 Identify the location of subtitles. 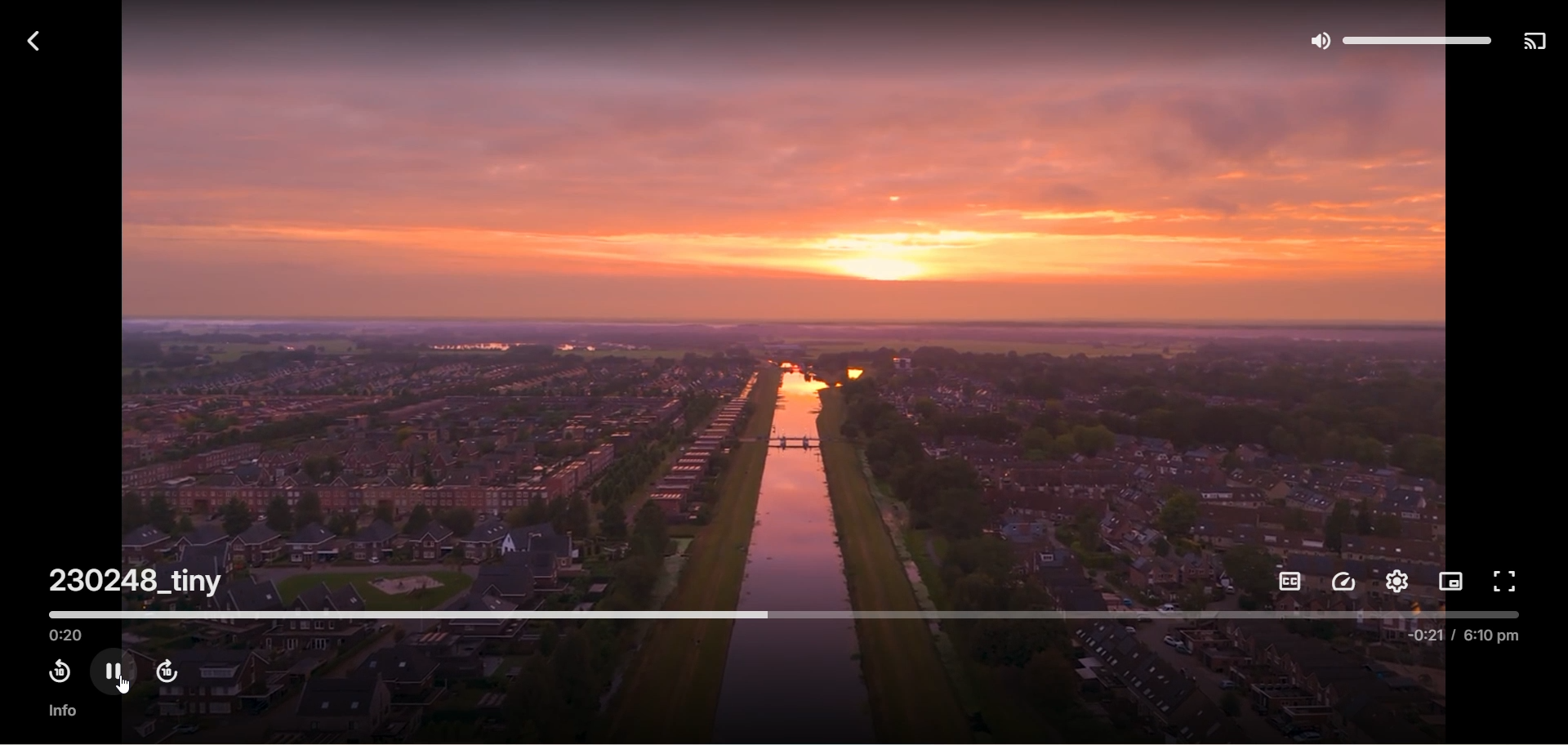
(1283, 580).